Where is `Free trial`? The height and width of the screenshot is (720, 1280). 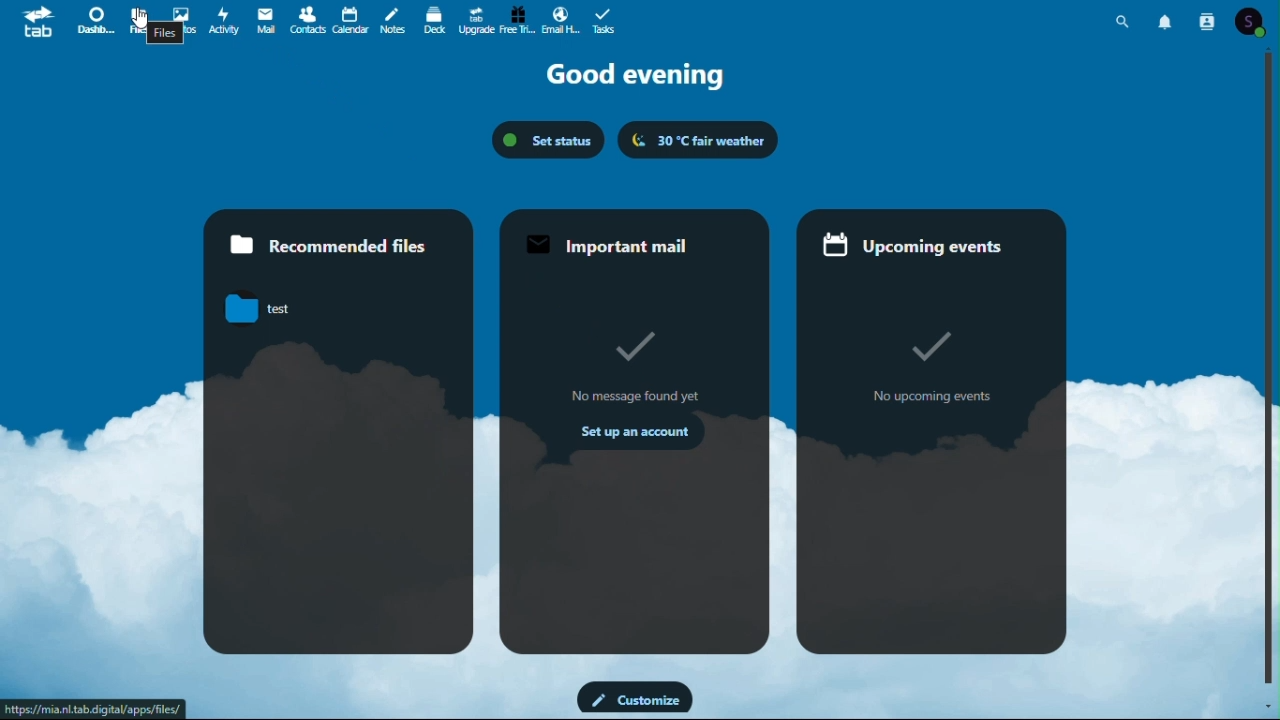
Free trial is located at coordinates (516, 19).